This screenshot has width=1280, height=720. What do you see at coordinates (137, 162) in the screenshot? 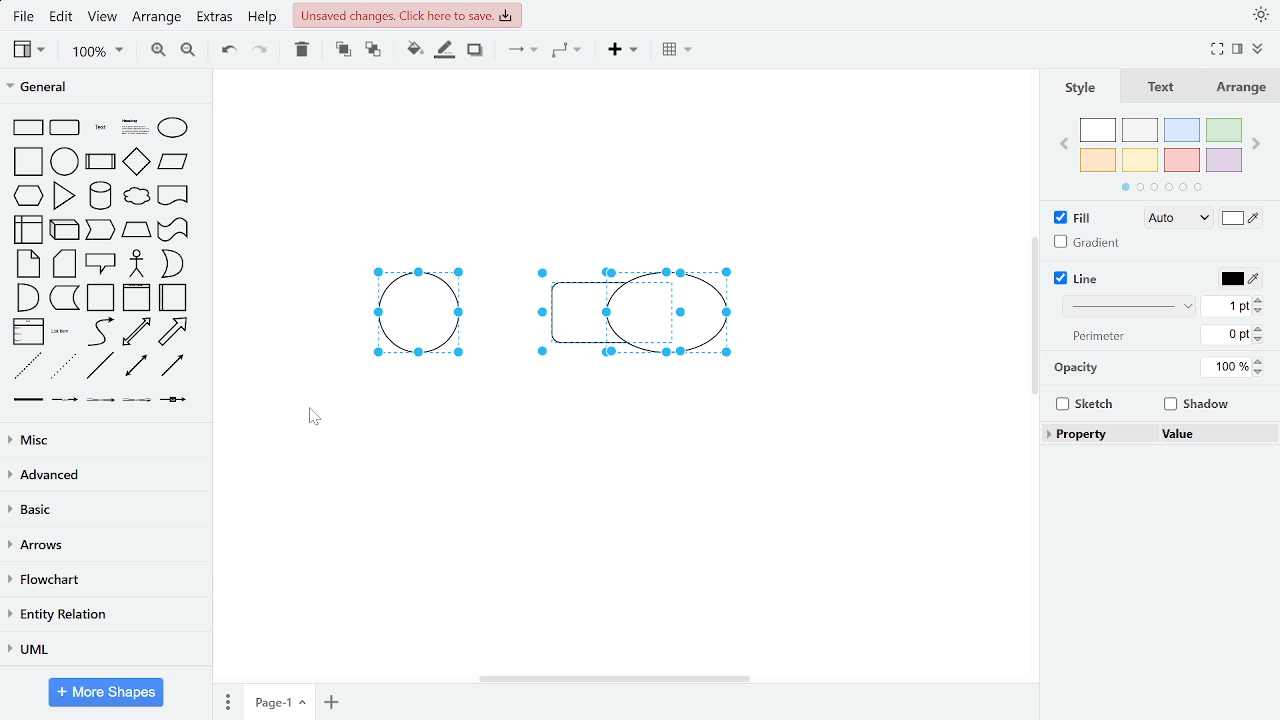
I see `diamond` at bounding box center [137, 162].